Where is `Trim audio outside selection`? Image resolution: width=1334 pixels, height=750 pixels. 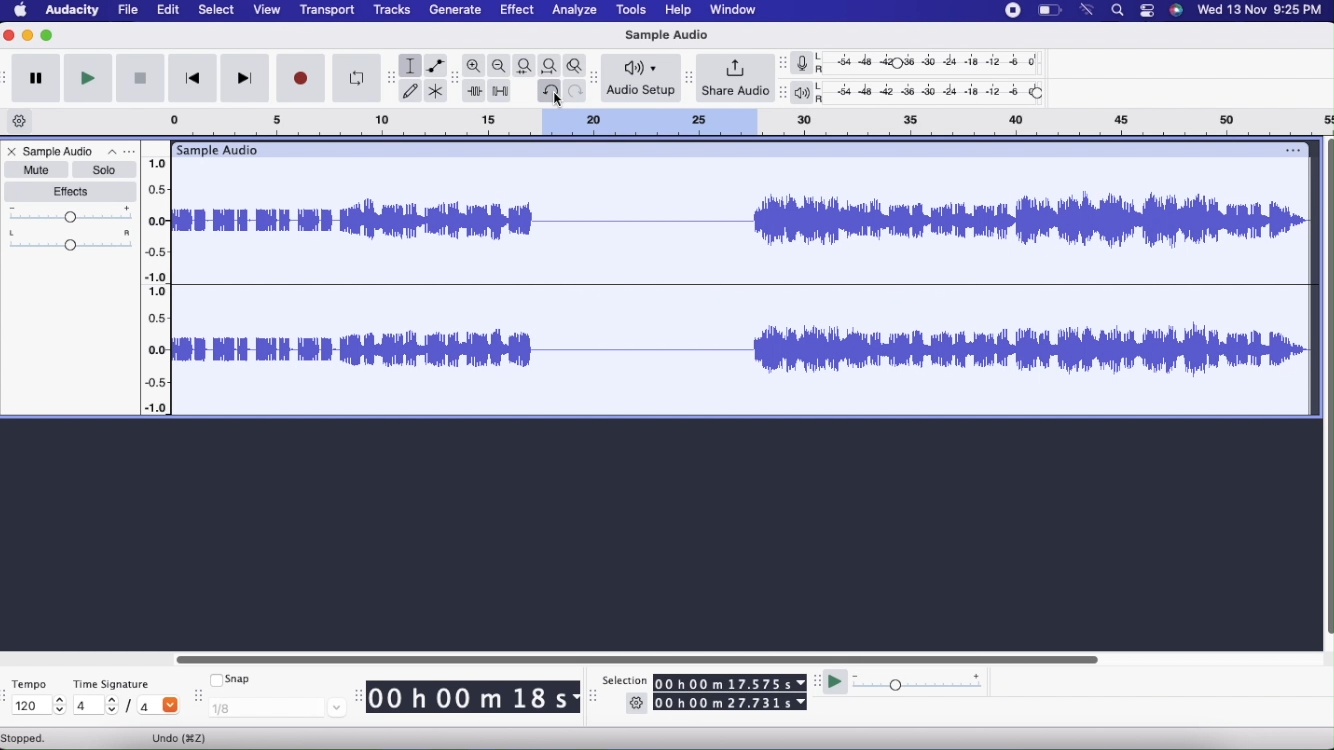
Trim audio outside selection is located at coordinates (473, 92).